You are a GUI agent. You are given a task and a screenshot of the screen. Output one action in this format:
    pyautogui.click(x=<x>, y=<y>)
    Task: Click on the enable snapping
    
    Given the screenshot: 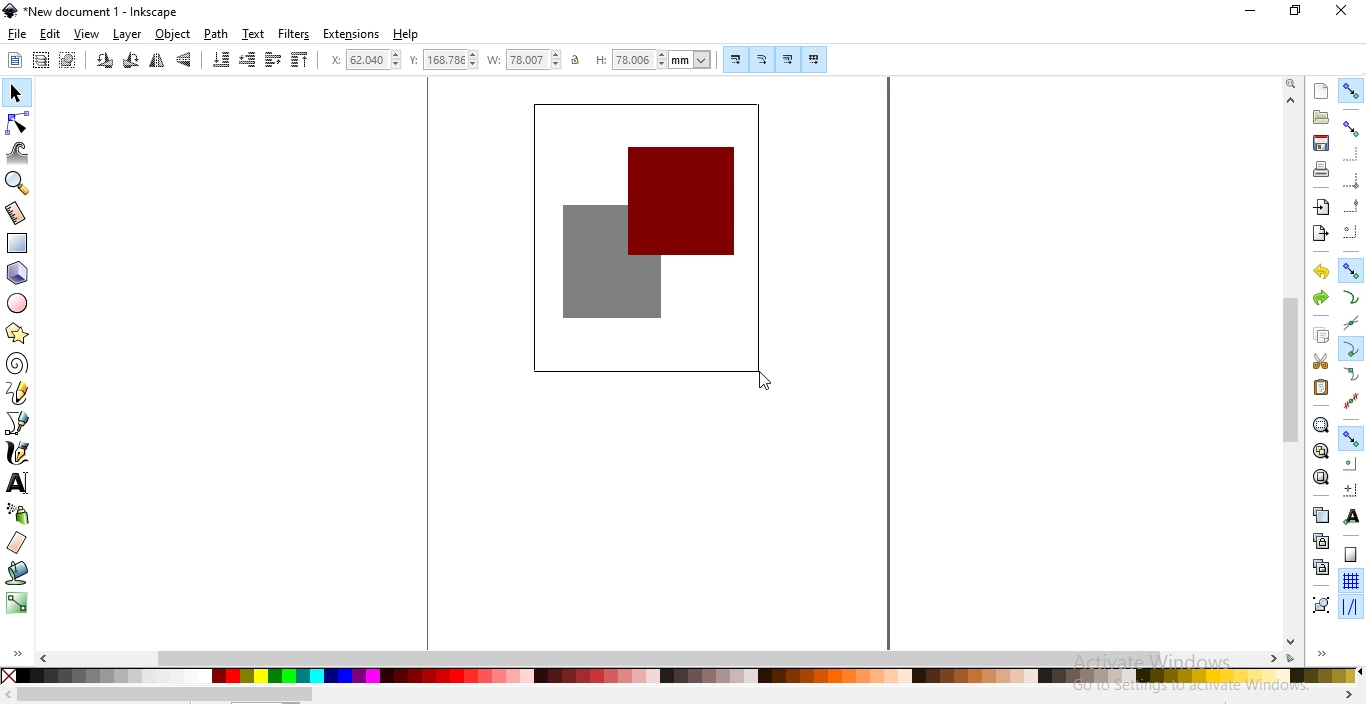 What is the action you would take?
    pyautogui.click(x=1352, y=90)
    